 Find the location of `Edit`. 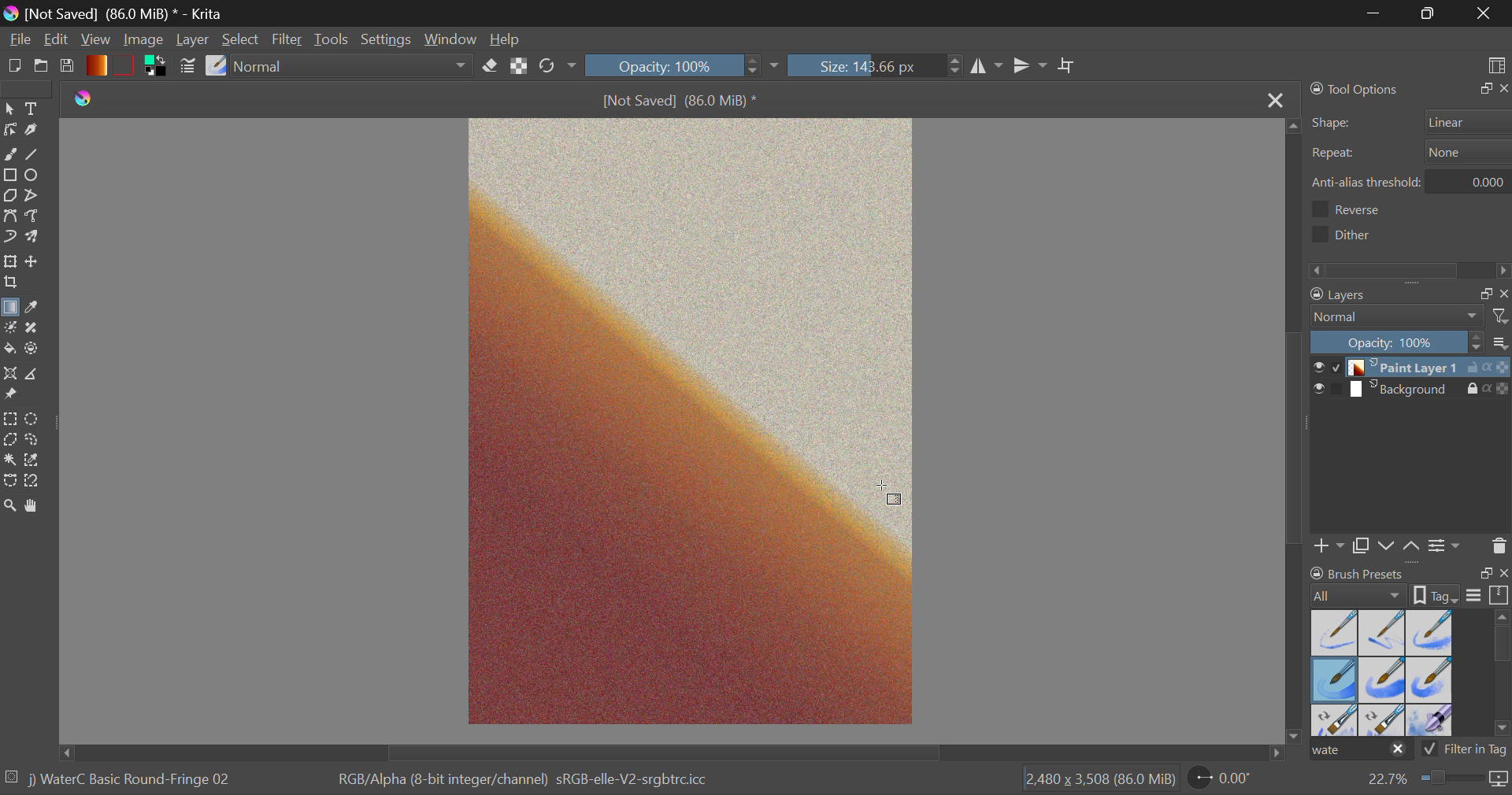

Edit is located at coordinates (56, 39).